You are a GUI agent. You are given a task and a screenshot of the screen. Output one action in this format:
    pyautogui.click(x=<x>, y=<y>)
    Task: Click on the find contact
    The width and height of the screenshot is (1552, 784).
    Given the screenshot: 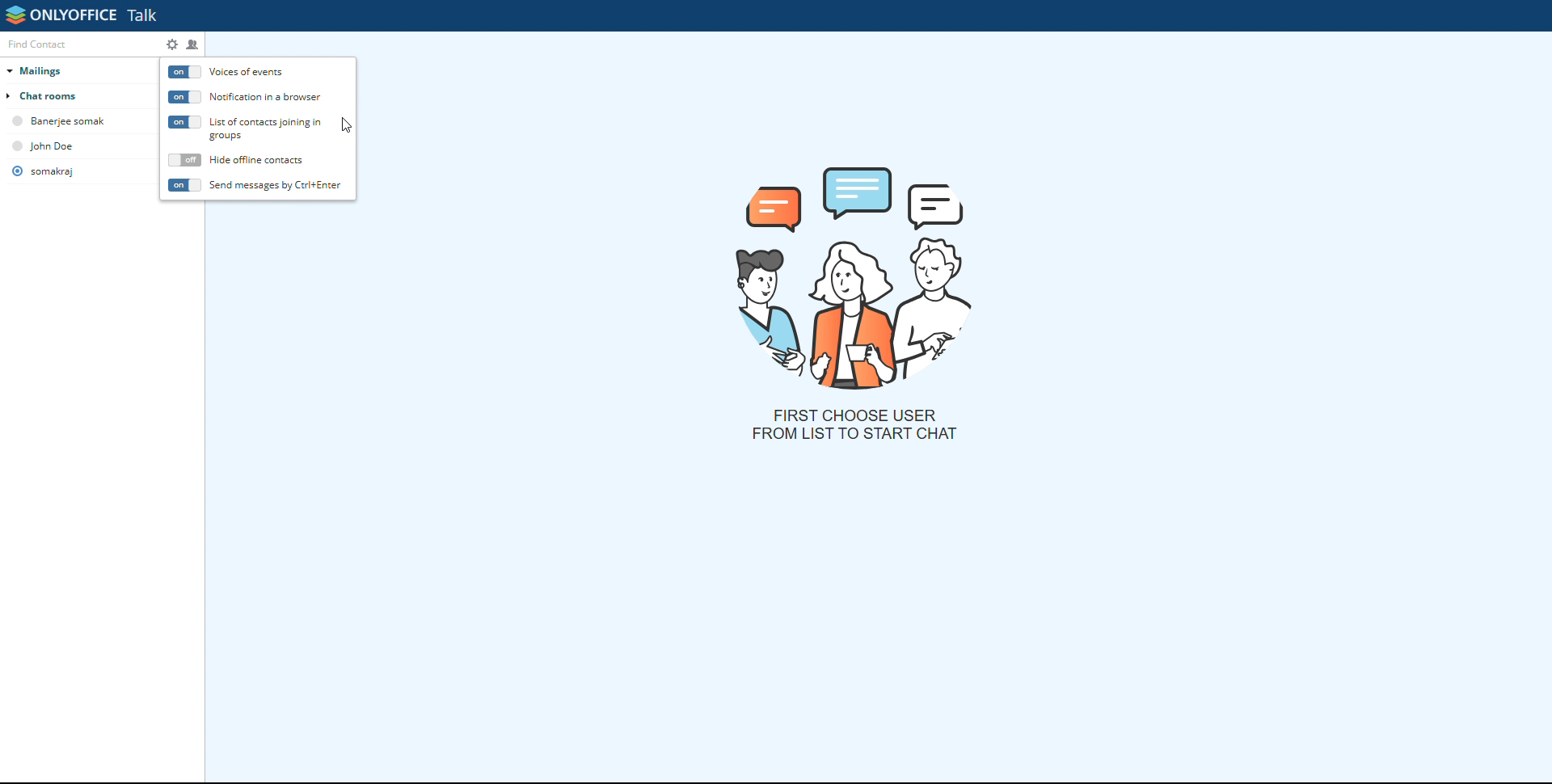 What is the action you would take?
    pyautogui.click(x=80, y=44)
    